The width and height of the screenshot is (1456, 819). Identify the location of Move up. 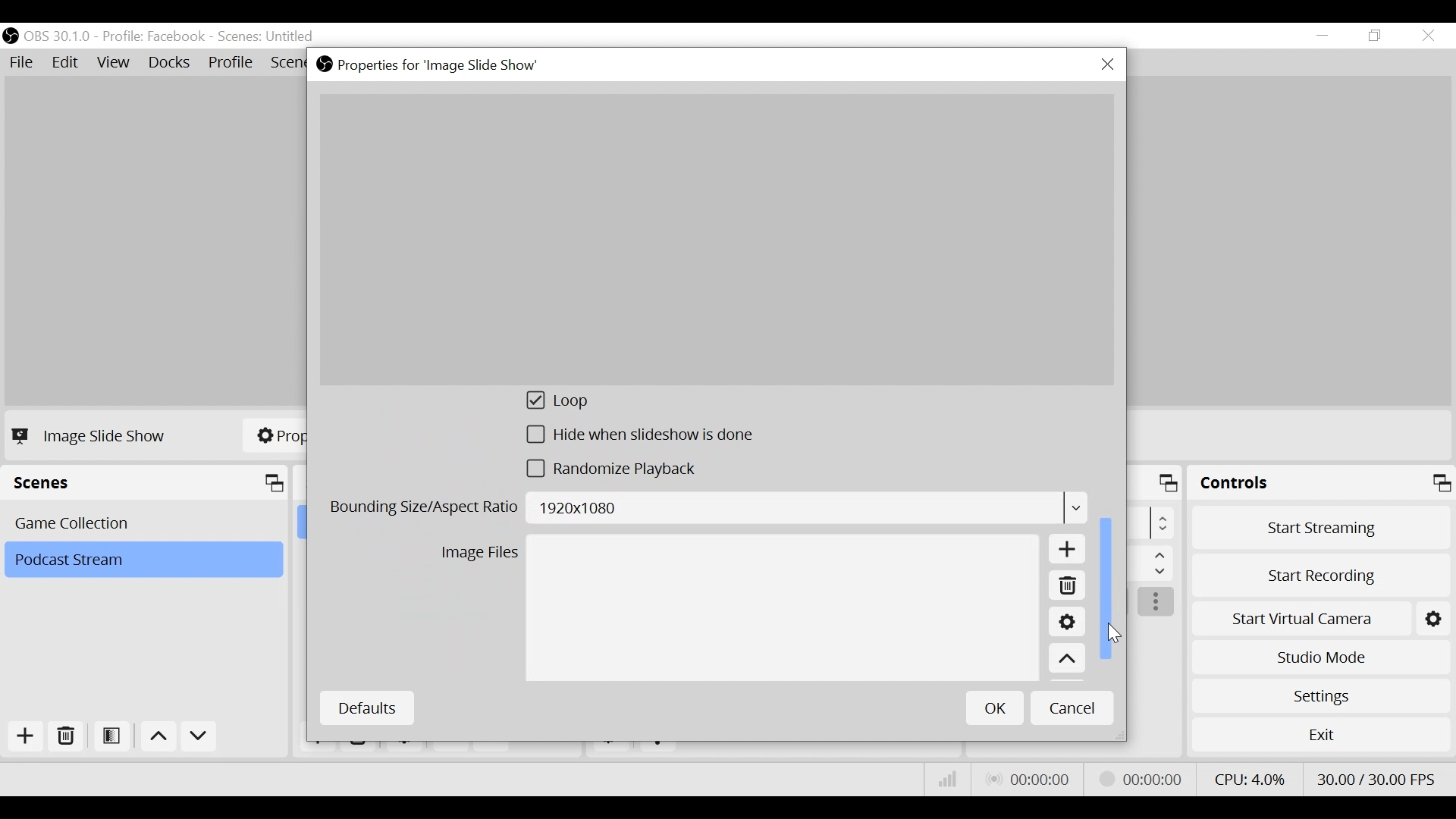
(1067, 657).